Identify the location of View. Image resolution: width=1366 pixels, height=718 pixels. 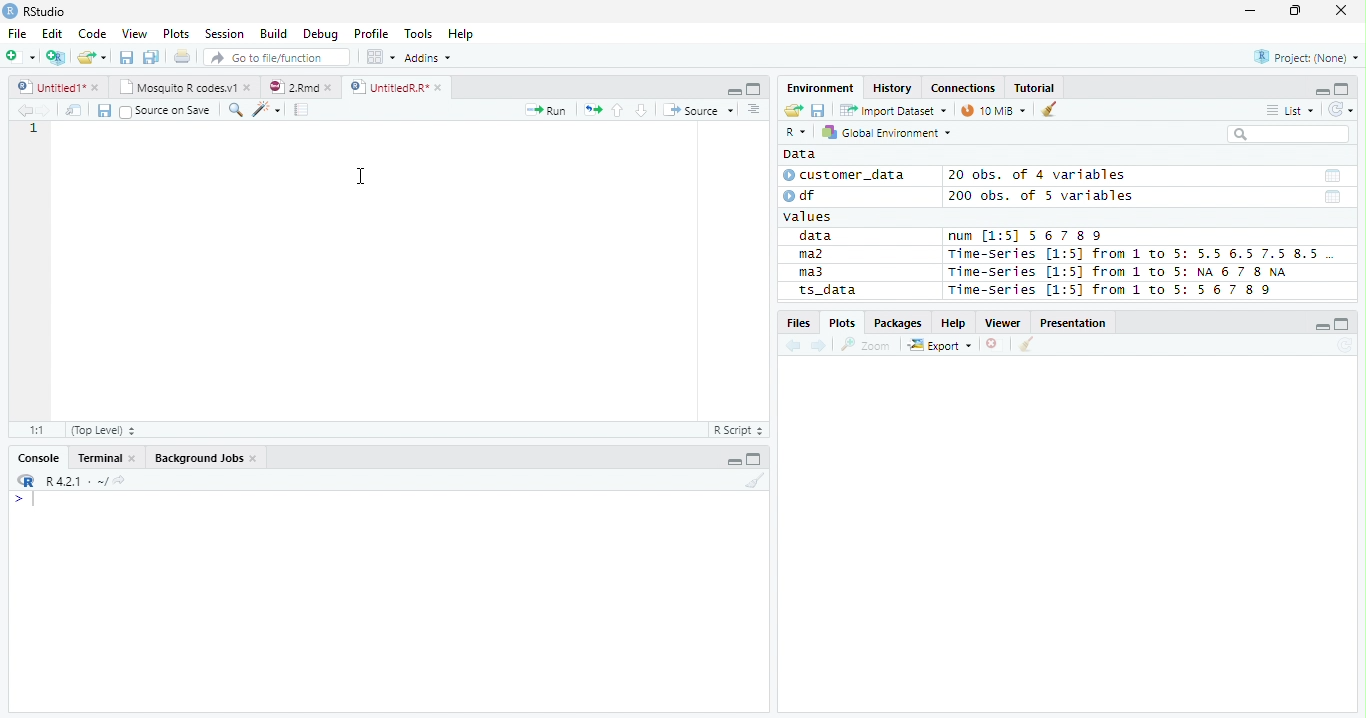
(136, 33).